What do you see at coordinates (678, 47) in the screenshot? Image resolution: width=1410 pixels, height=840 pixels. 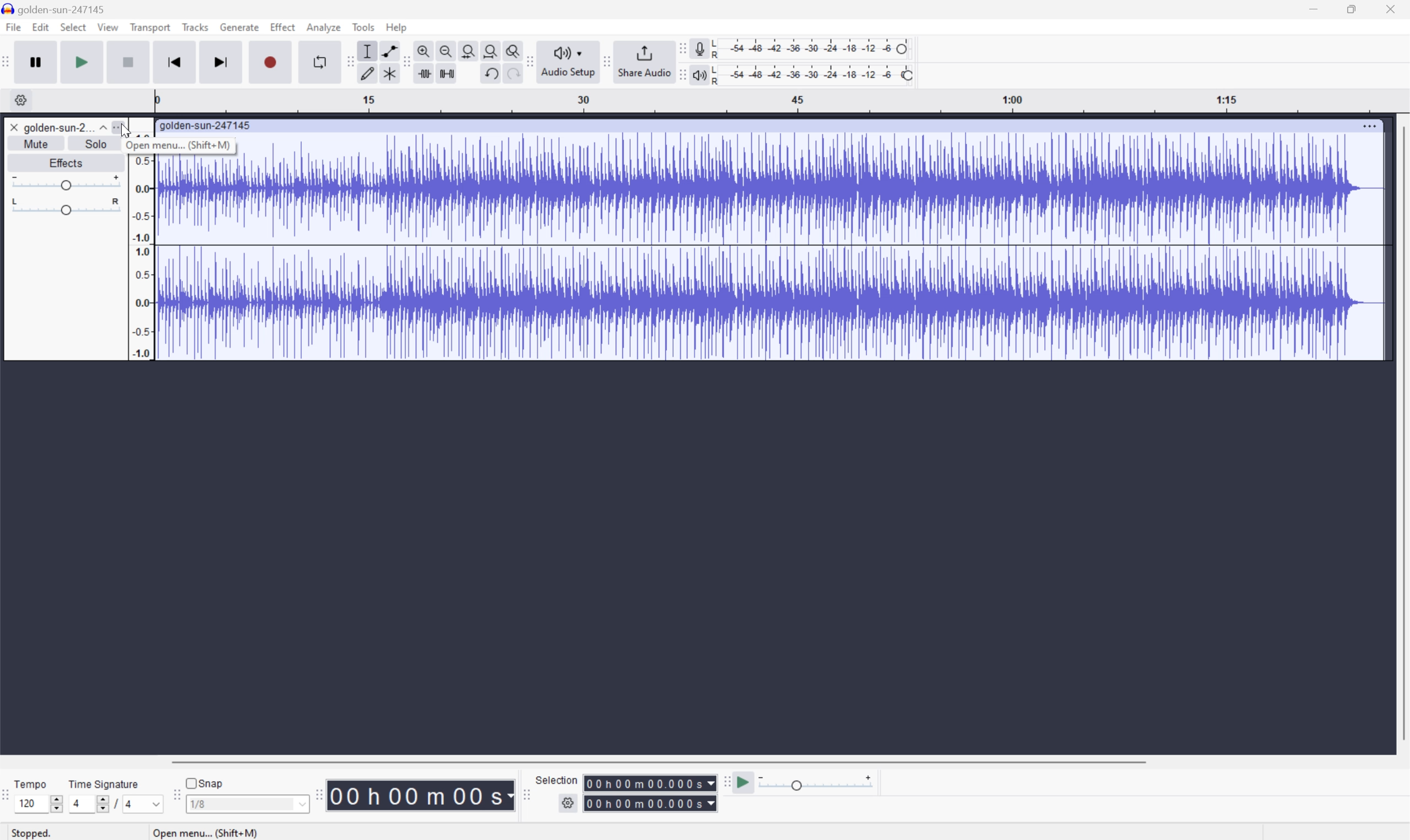 I see `Audacity recording meter toolbar` at bounding box center [678, 47].